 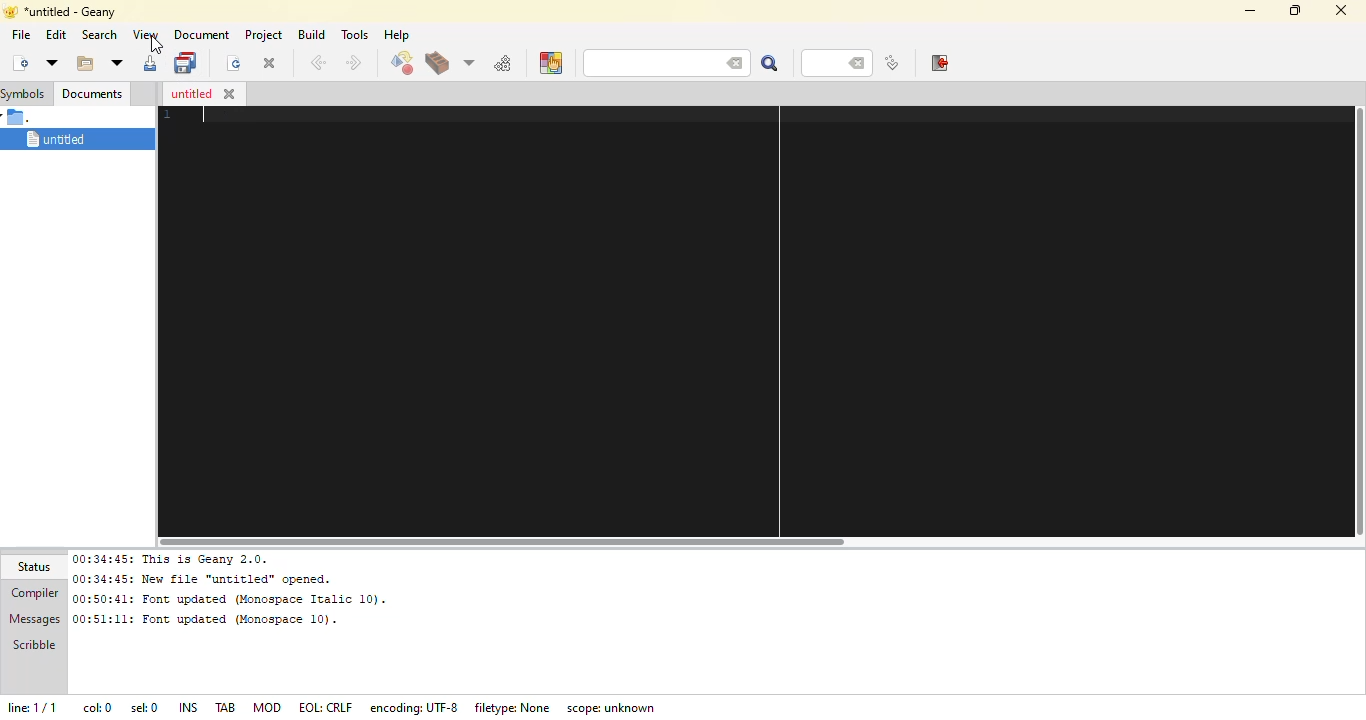 What do you see at coordinates (513, 705) in the screenshot?
I see `filetype: none` at bounding box center [513, 705].